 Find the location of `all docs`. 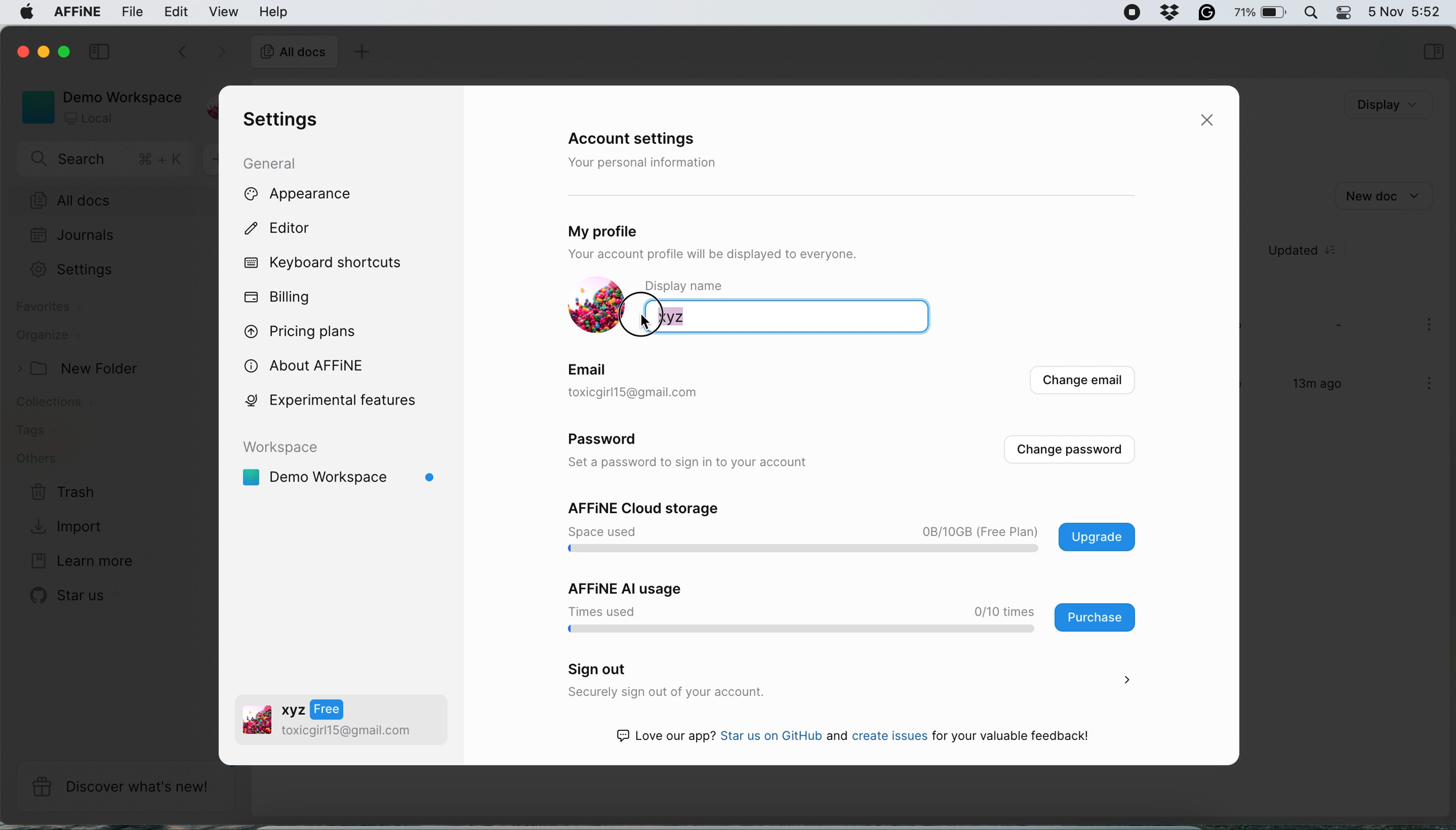

all docs is located at coordinates (294, 54).